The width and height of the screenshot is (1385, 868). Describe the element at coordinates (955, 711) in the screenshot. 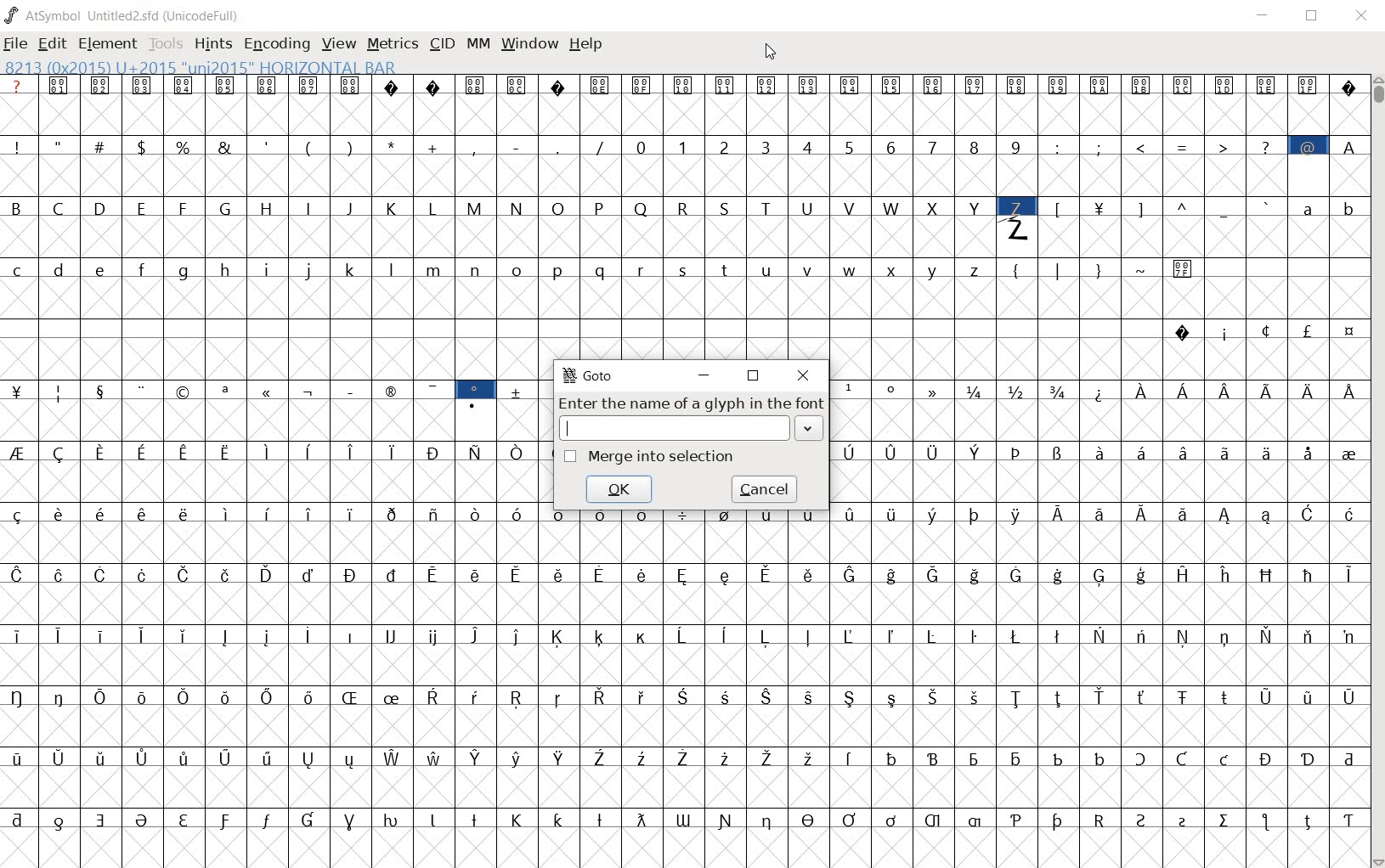

I see `glyph characters` at that location.